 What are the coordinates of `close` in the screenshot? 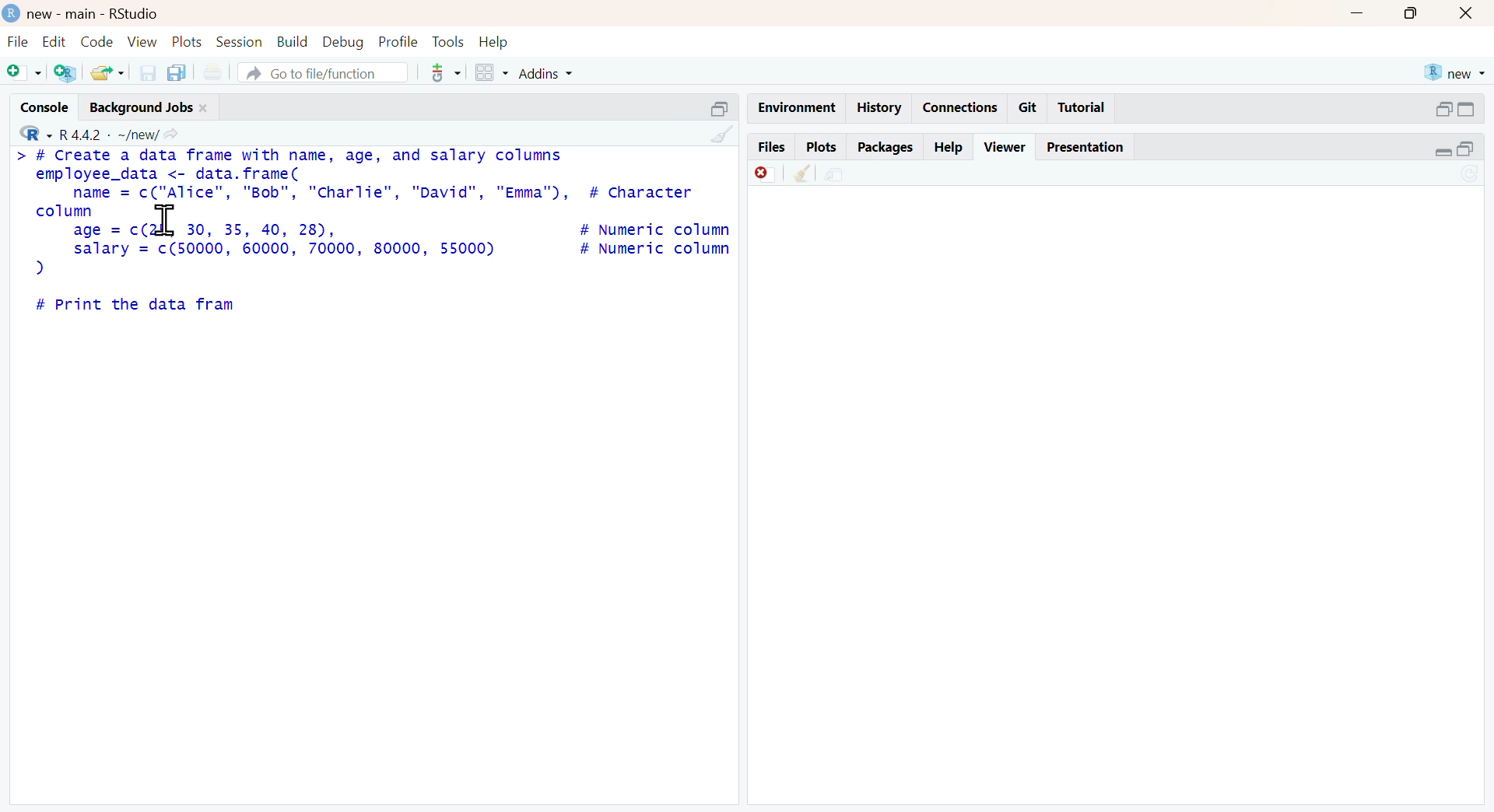 It's located at (1471, 13).